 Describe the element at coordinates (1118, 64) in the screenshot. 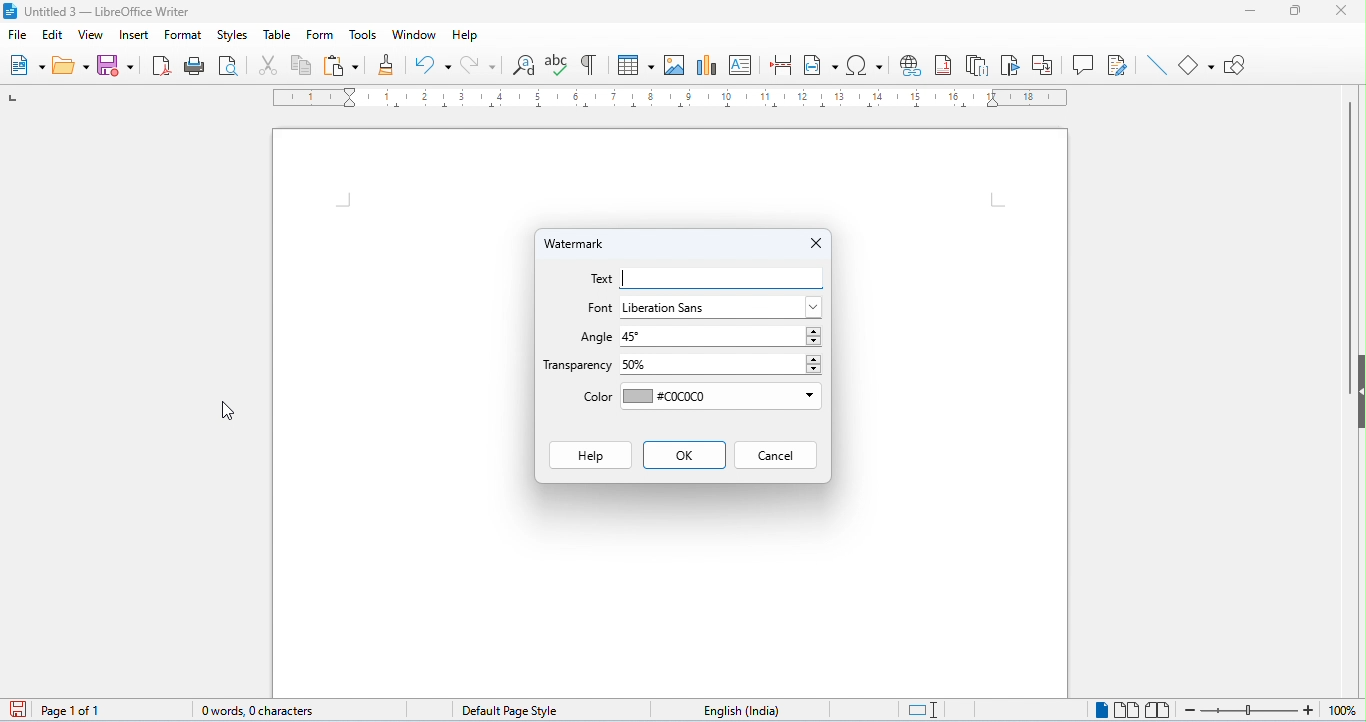

I see `show track changes` at that location.